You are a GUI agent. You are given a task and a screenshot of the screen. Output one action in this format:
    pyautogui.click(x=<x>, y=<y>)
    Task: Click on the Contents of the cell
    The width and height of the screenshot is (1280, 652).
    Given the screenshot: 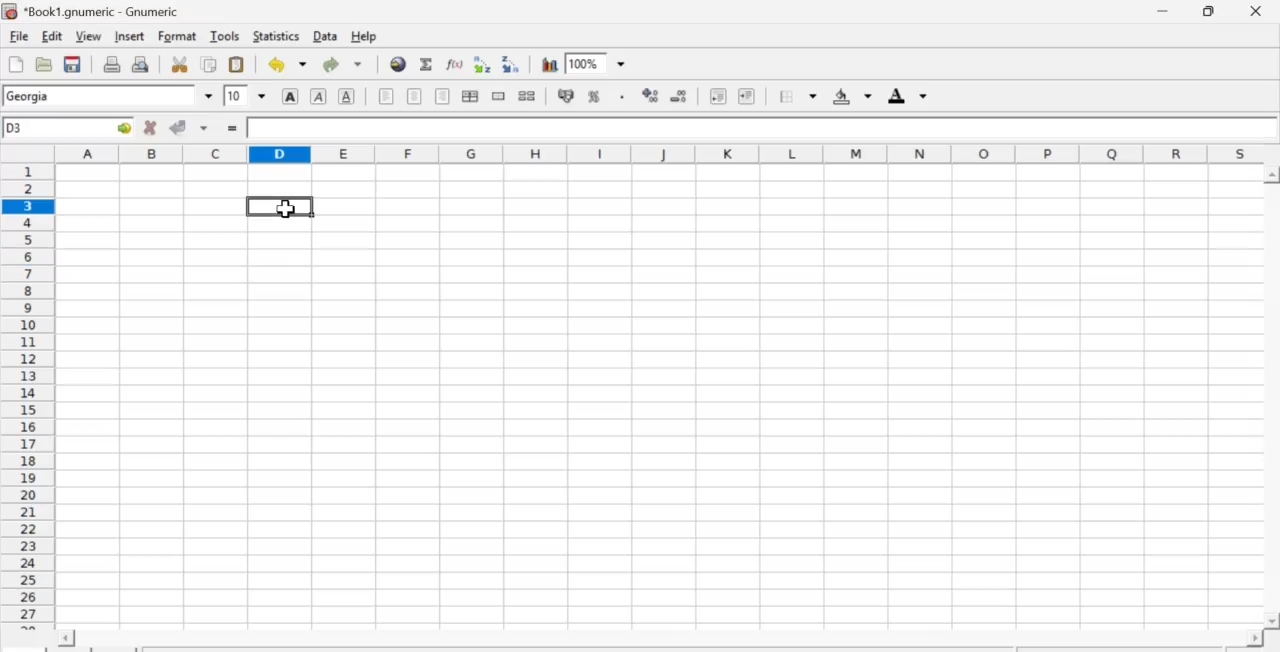 What is the action you would take?
    pyautogui.click(x=754, y=128)
    